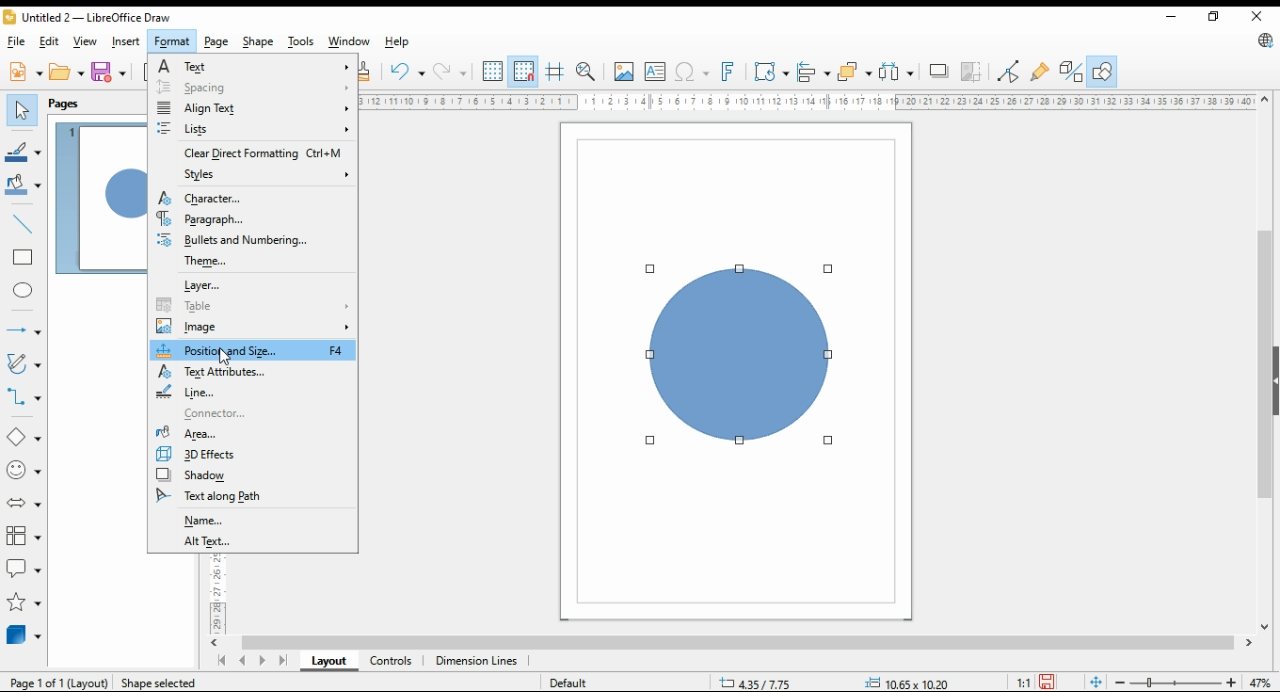  Describe the element at coordinates (23, 329) in the screenshot. I see `lines and arrows` at that location.